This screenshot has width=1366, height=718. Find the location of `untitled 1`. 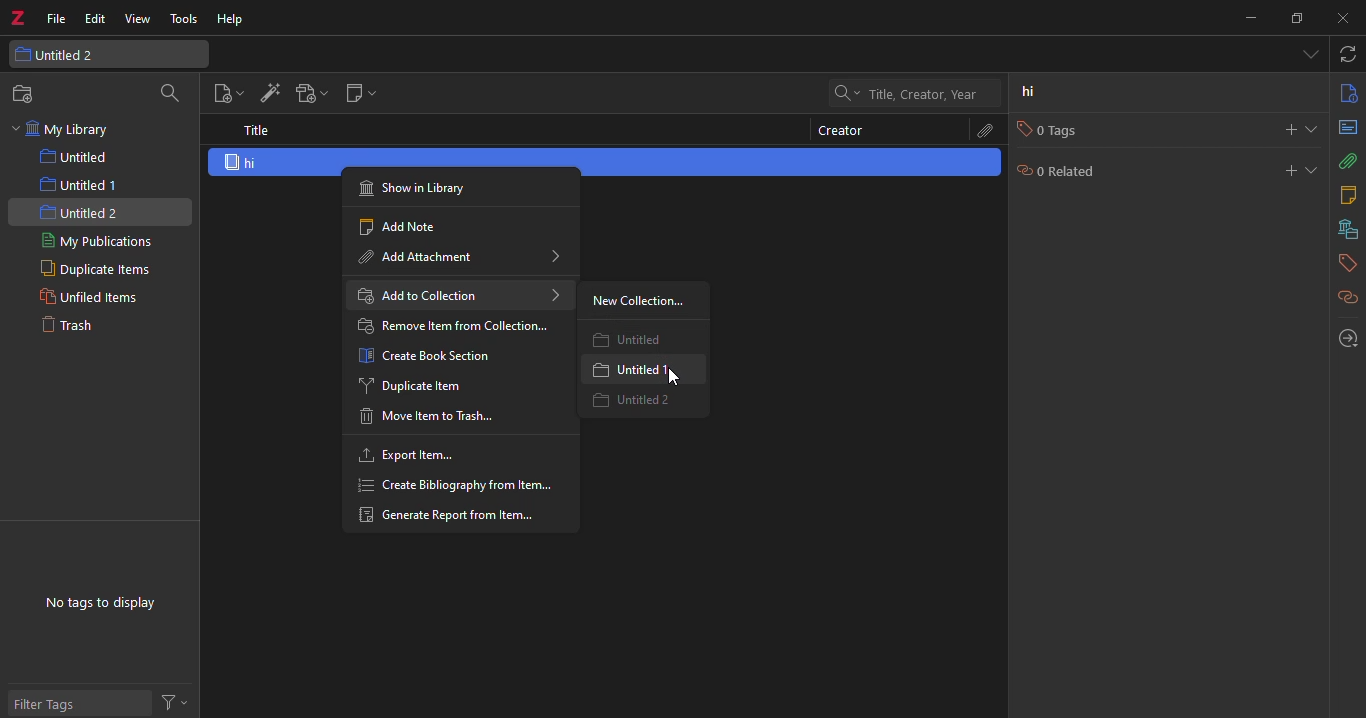

untitled 1 is located at coordinates (615, 370).